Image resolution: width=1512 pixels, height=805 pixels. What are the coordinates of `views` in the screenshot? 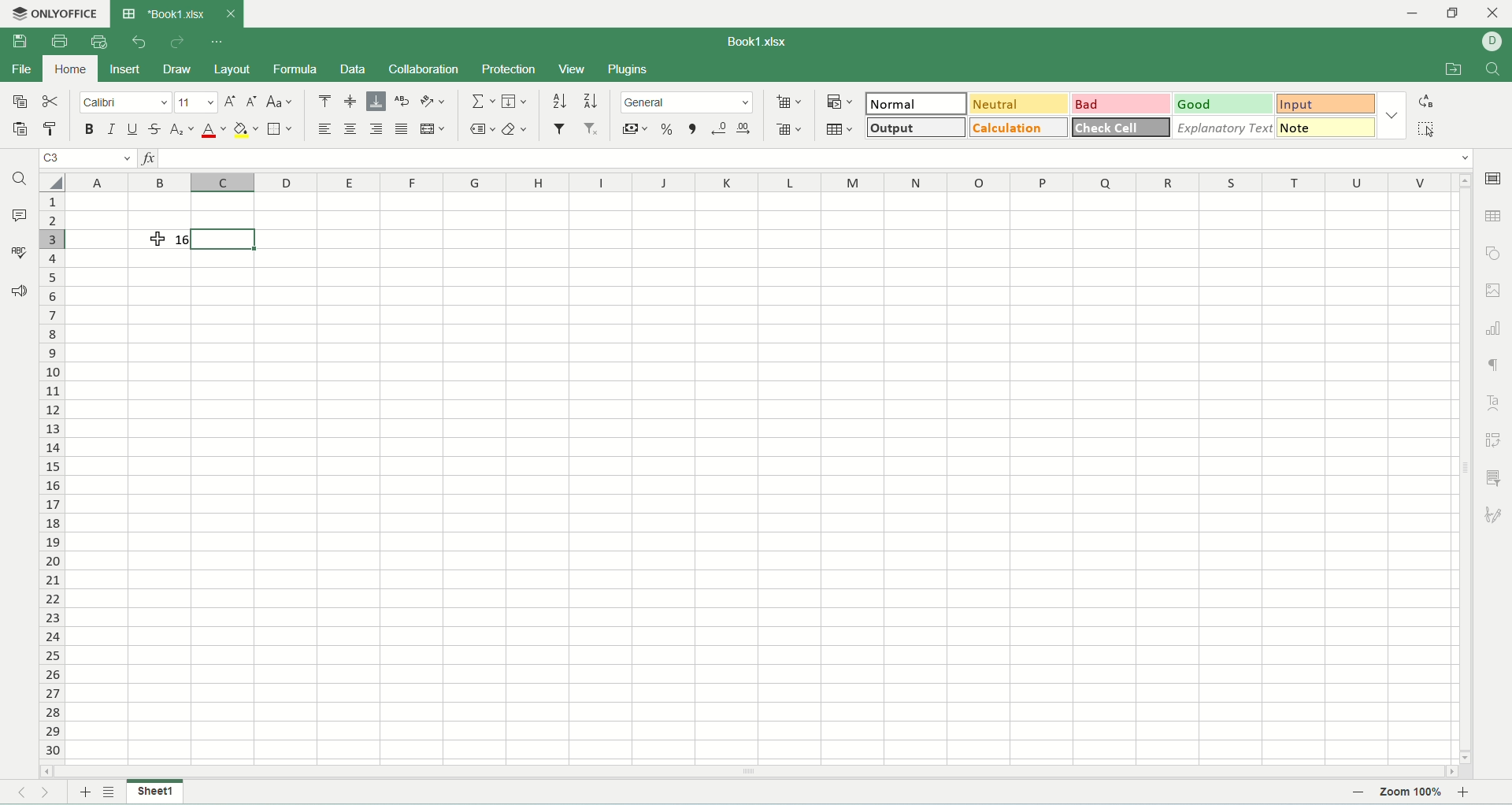 It's located at (573, 69).